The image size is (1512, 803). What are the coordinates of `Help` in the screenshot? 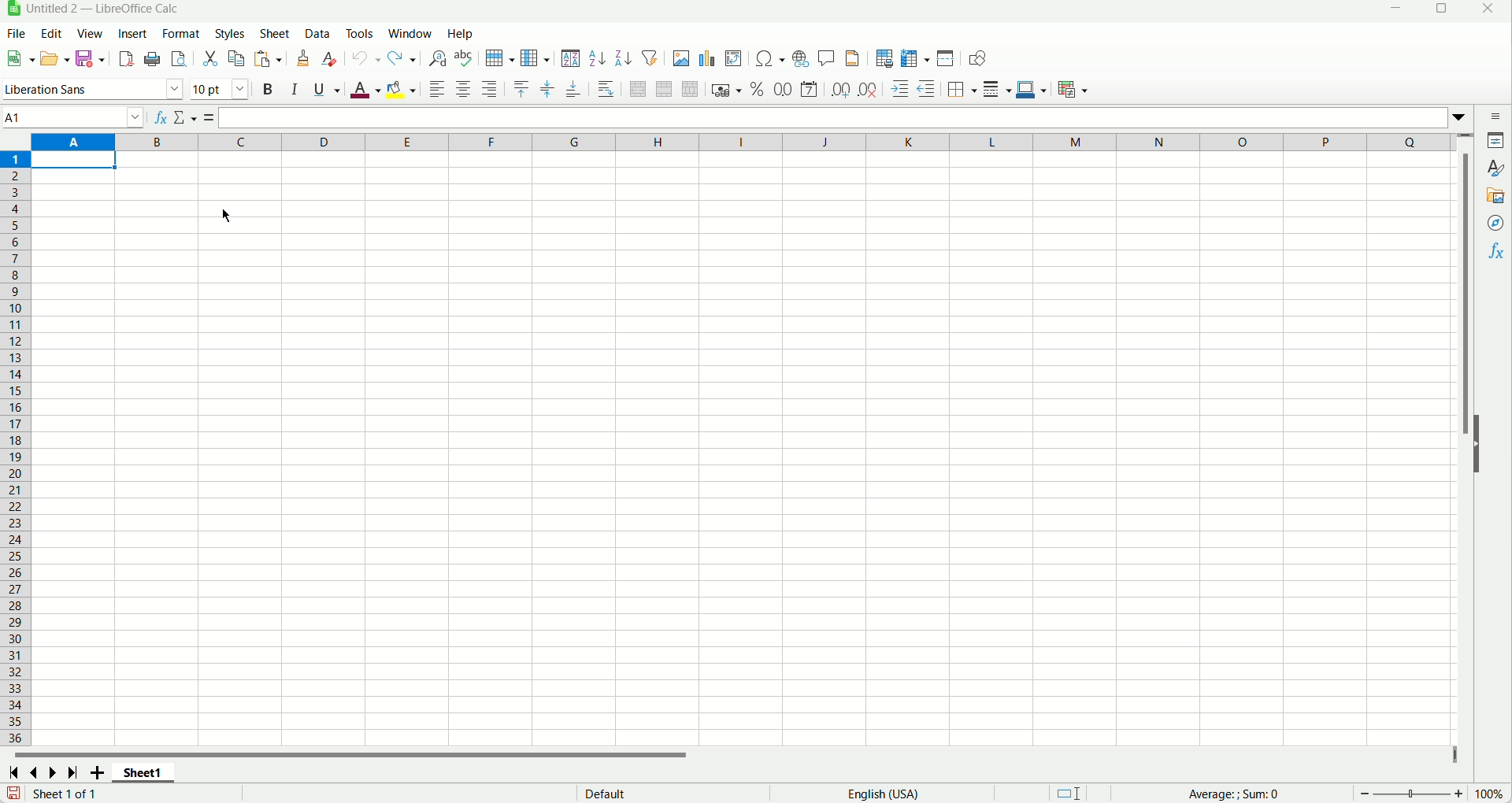 It's located at (461, 34).